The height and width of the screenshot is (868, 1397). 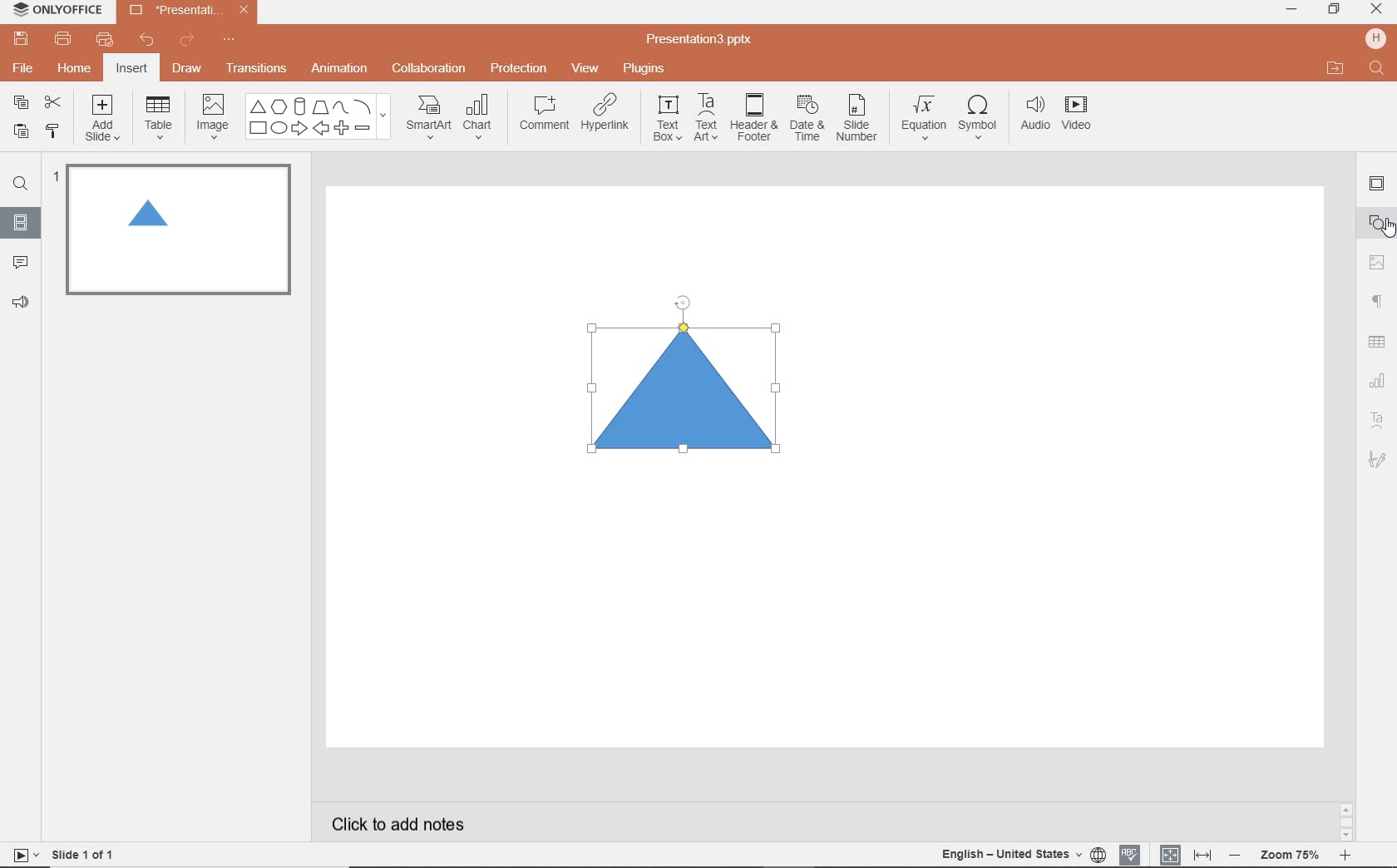 I want to click on QUICK PRINT, so click(x=104, y=41).